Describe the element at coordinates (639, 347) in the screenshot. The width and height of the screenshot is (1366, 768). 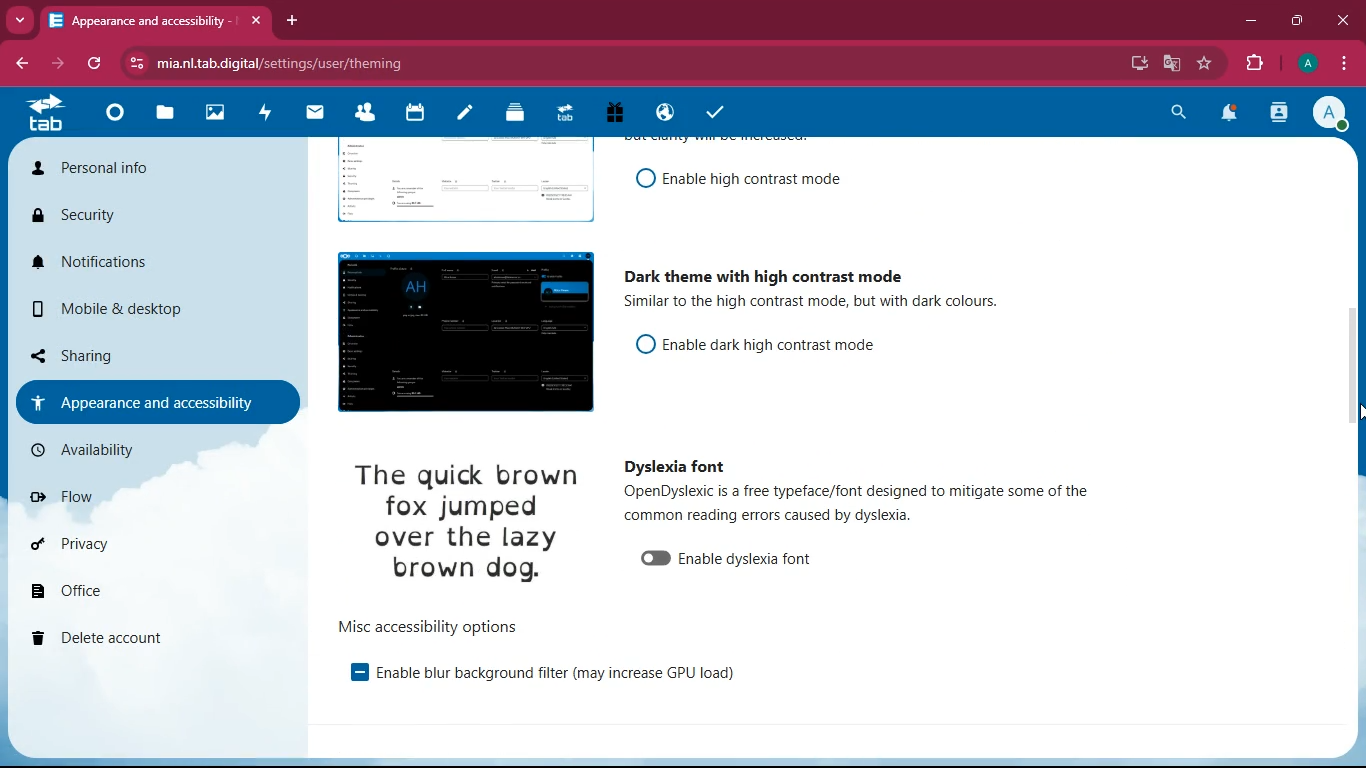
I see `on/off` at that location.